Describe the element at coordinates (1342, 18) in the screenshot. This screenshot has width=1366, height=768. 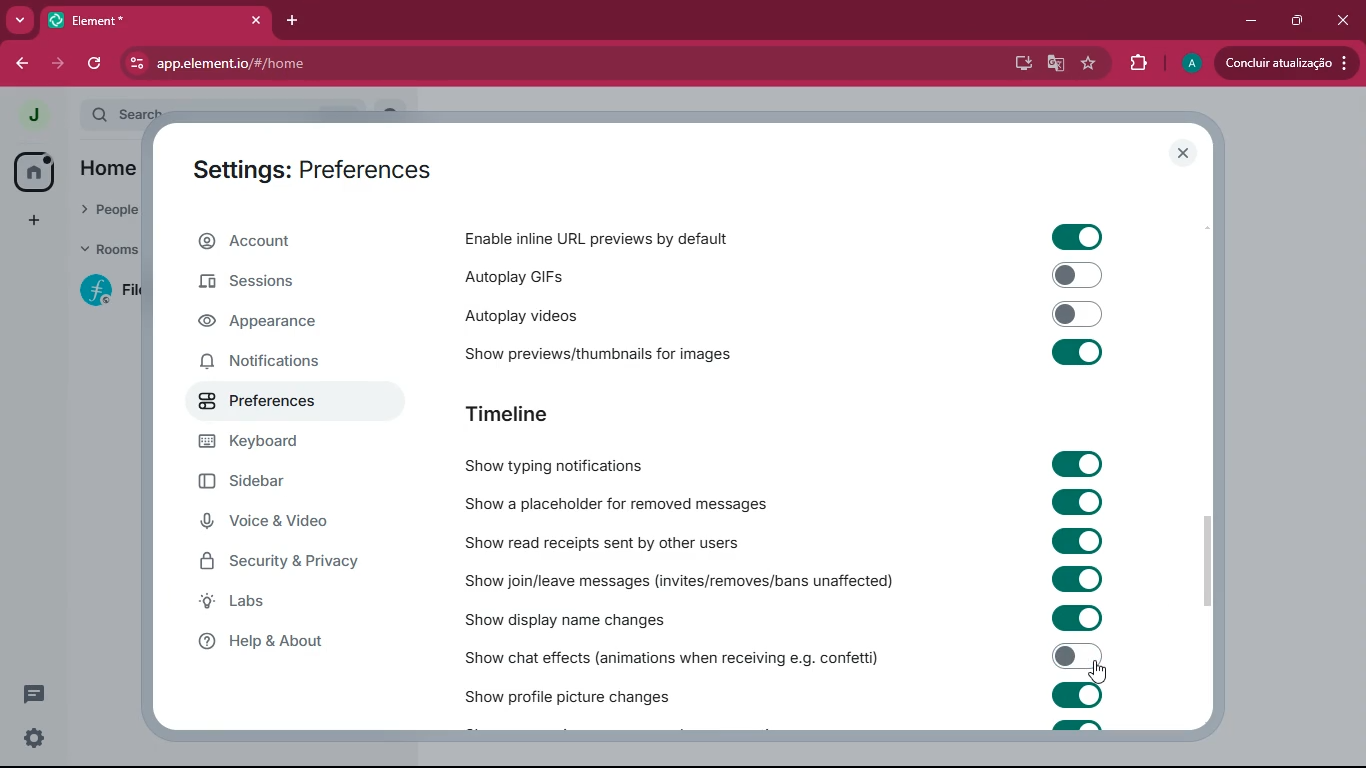
I see `Close` at that location.